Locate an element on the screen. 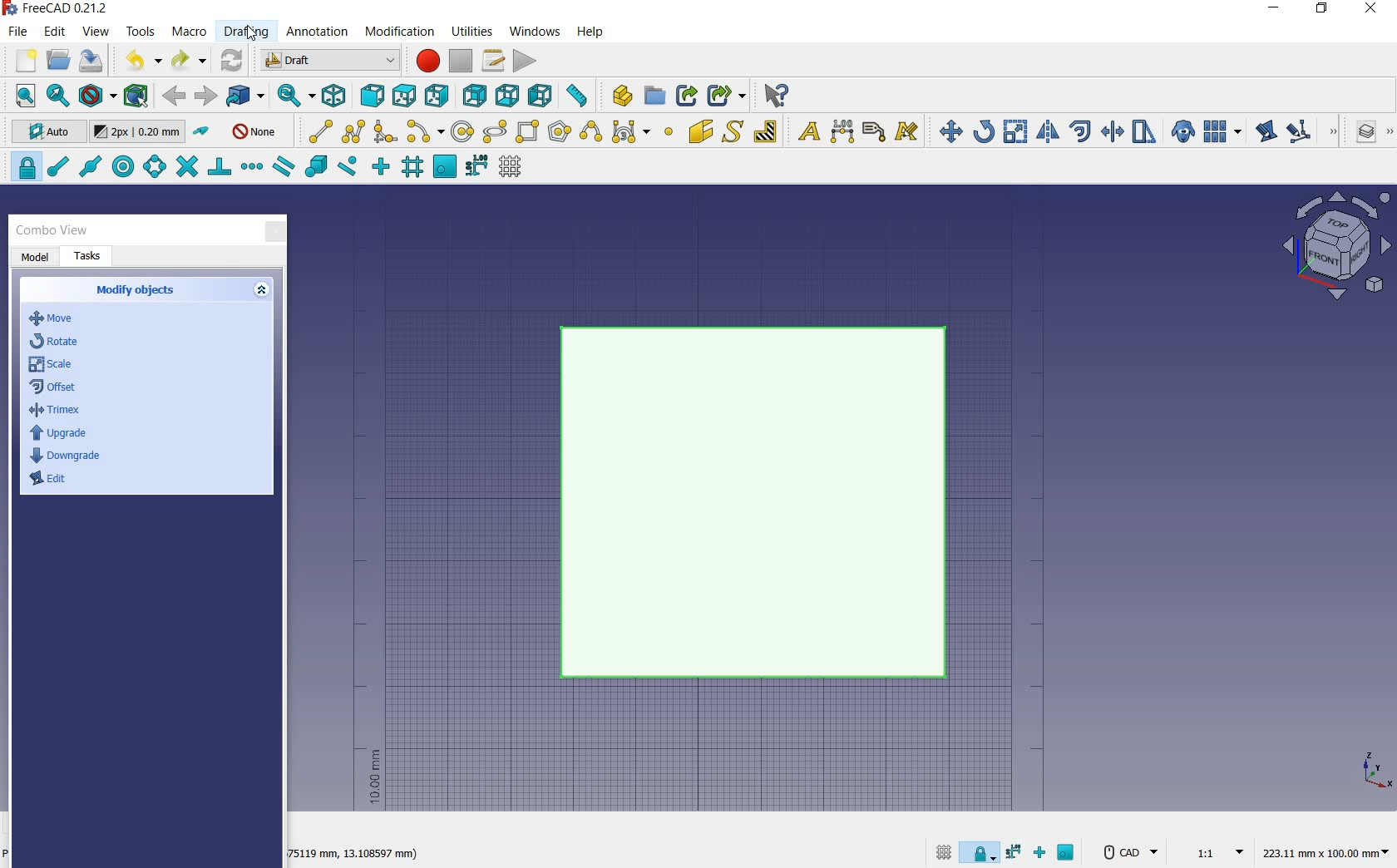 The image size is (1397, 868). offset is located at coordinates (1081, 131).